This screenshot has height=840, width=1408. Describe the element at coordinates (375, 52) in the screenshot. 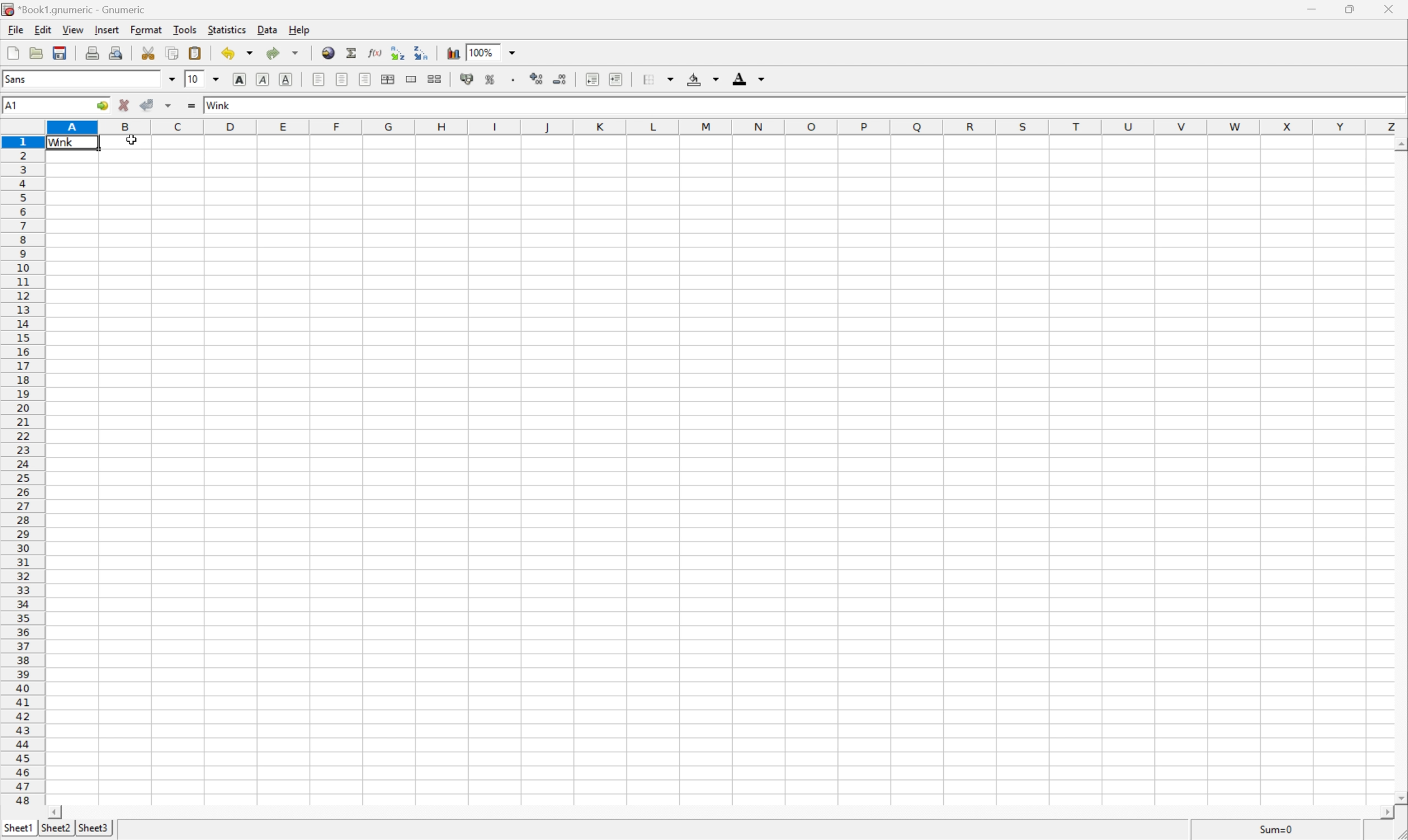

I see `edit function in current cell` at that location.